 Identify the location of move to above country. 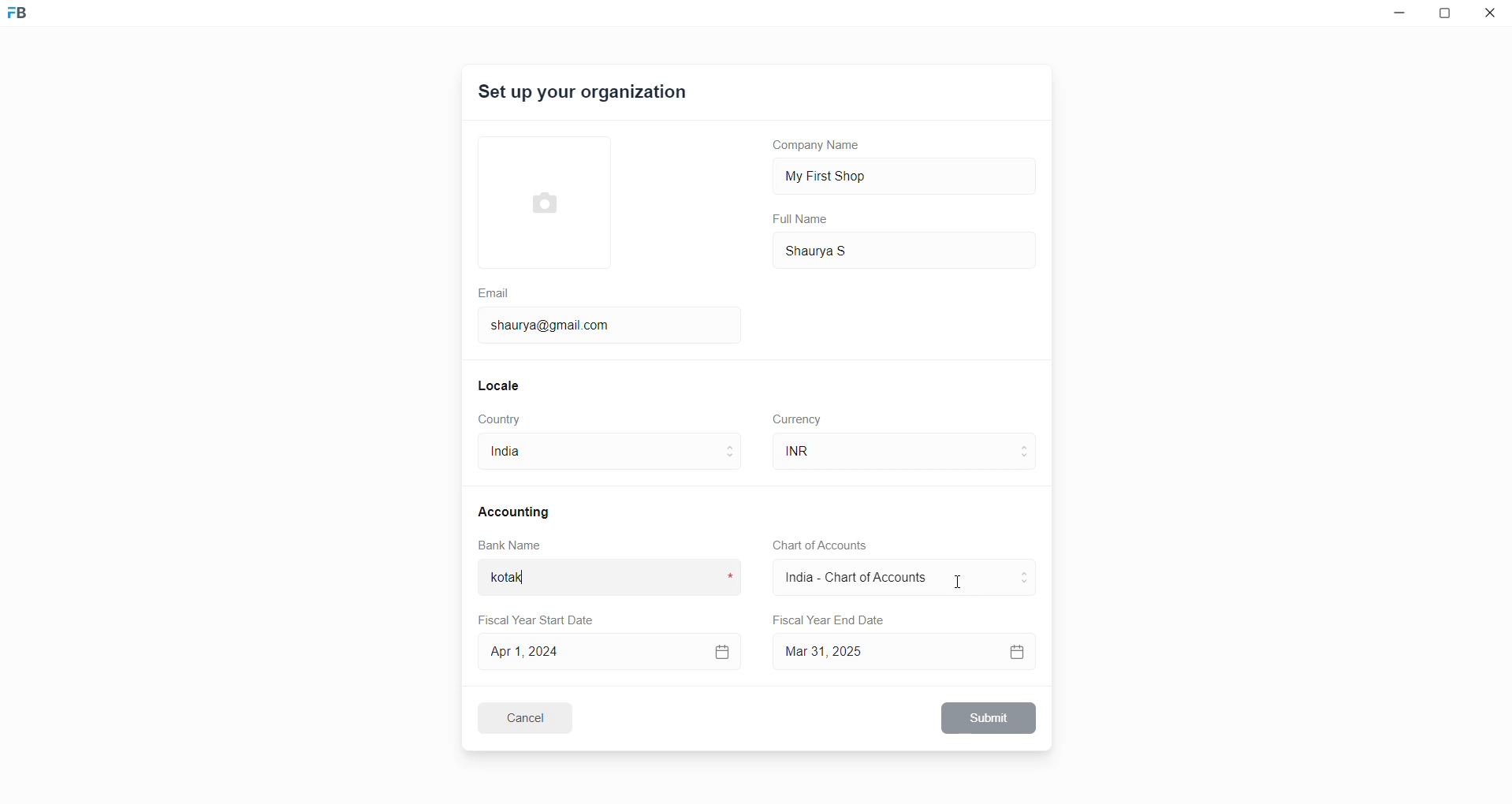
(733, 445).